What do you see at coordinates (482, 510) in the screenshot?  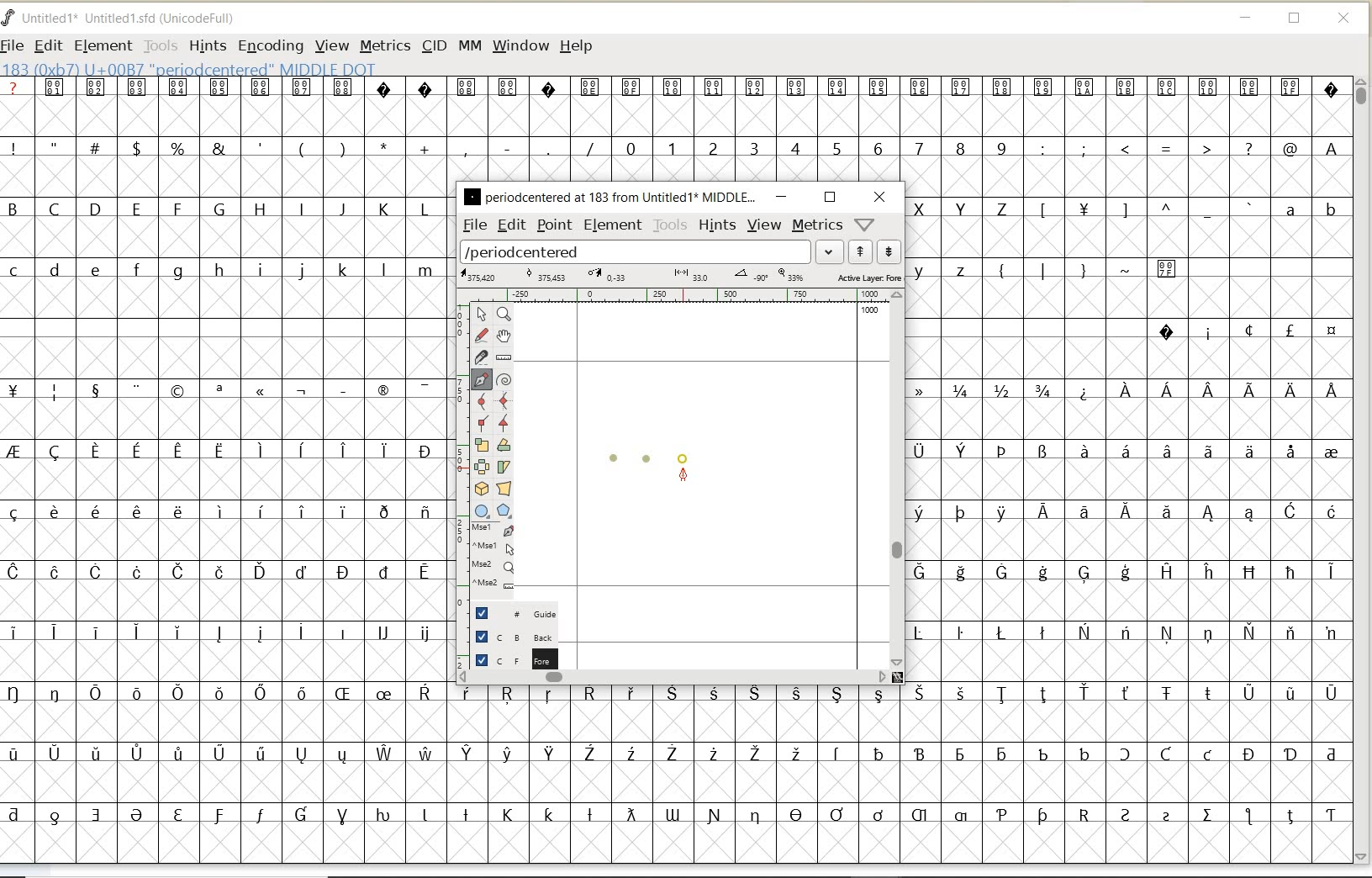 I see `rectangle or ellipse` at bounding box center [482, 510].